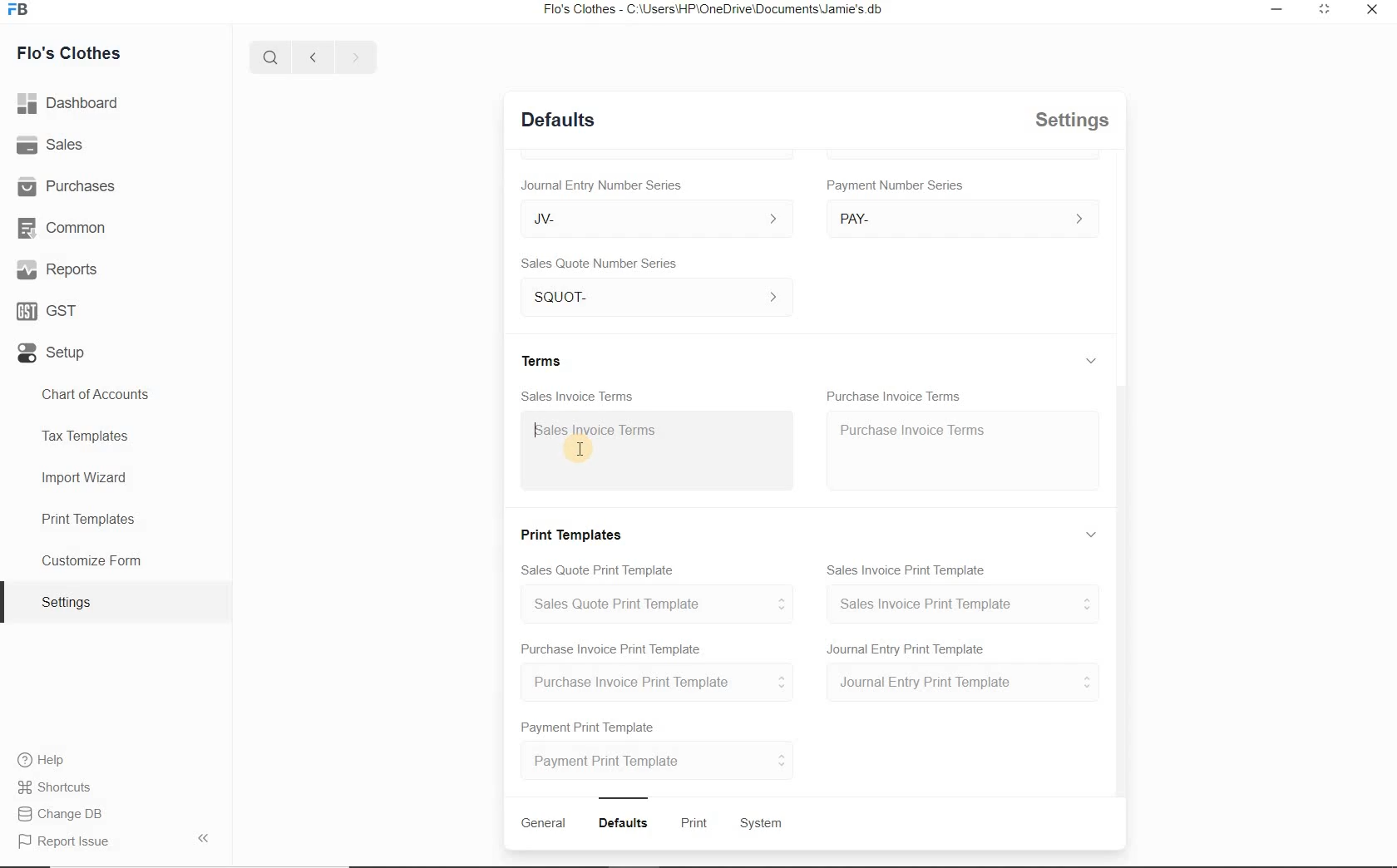 This screenshot has width=1397, height=868. I want to click on Purchase Invoice Terms, so click(911, 428).